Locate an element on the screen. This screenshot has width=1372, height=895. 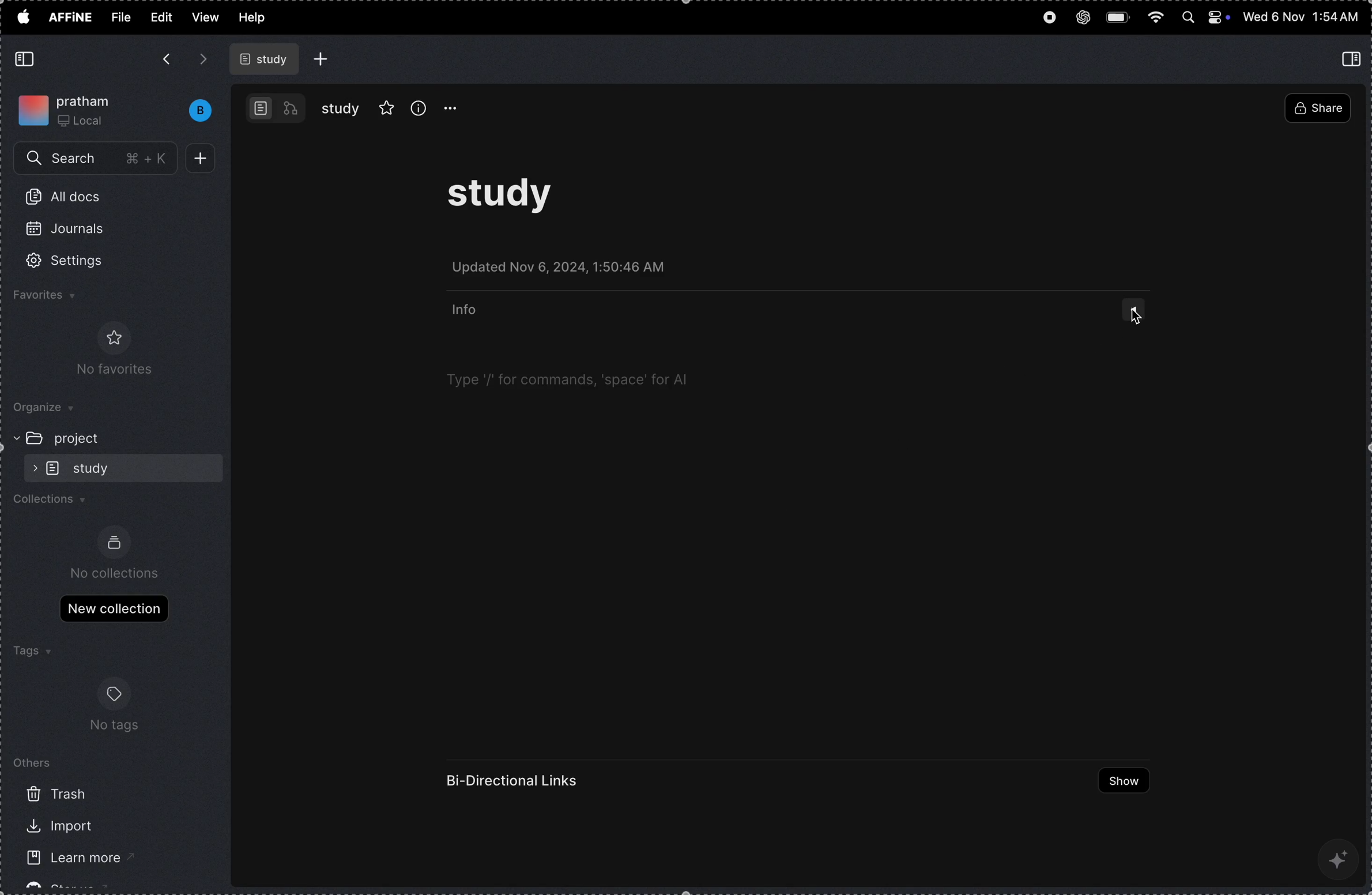
info is located at coordinates (467, 310).